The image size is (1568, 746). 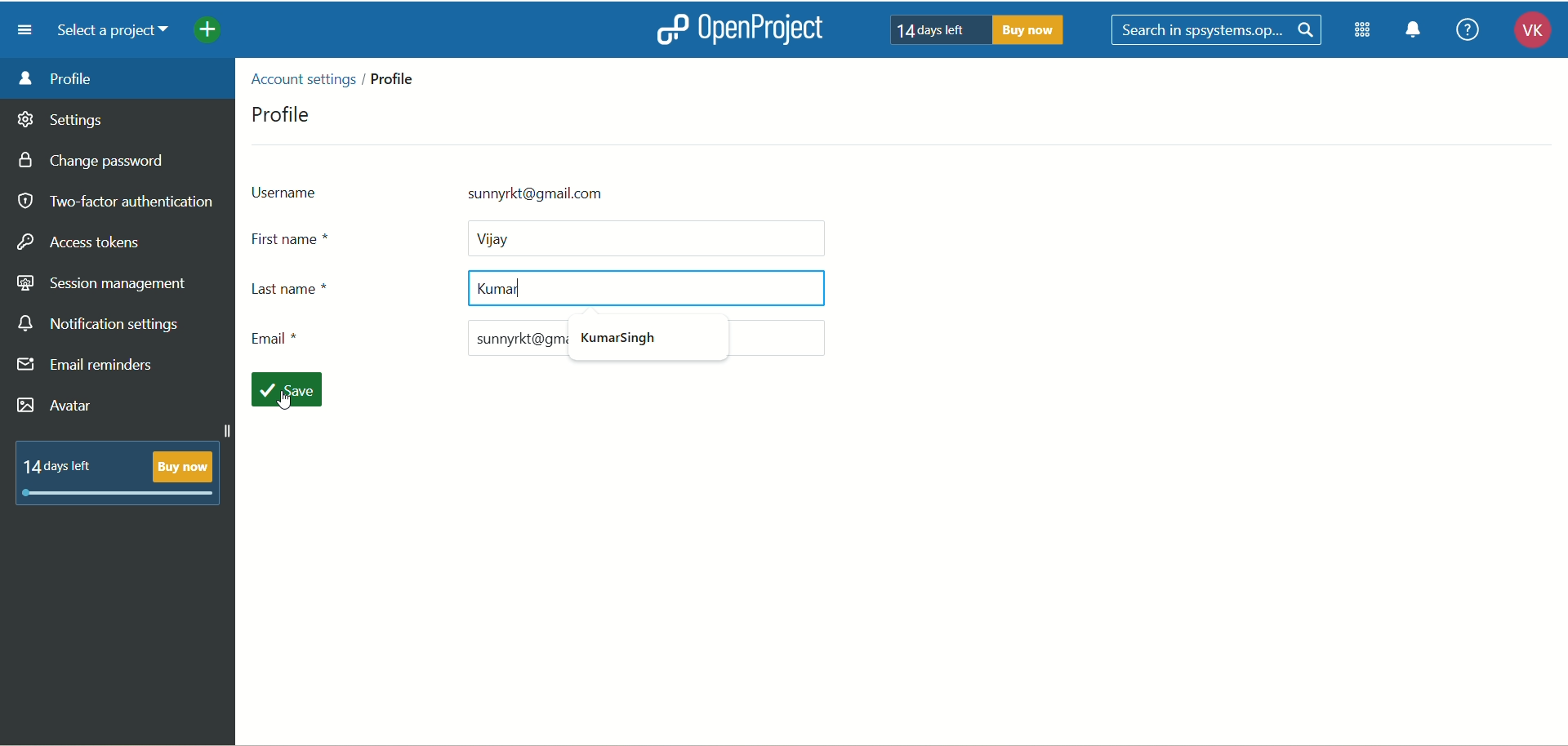 What do you see at coordinates (29, 30) in the screenshot?
I see `menu` at bounding box center [29, 30].